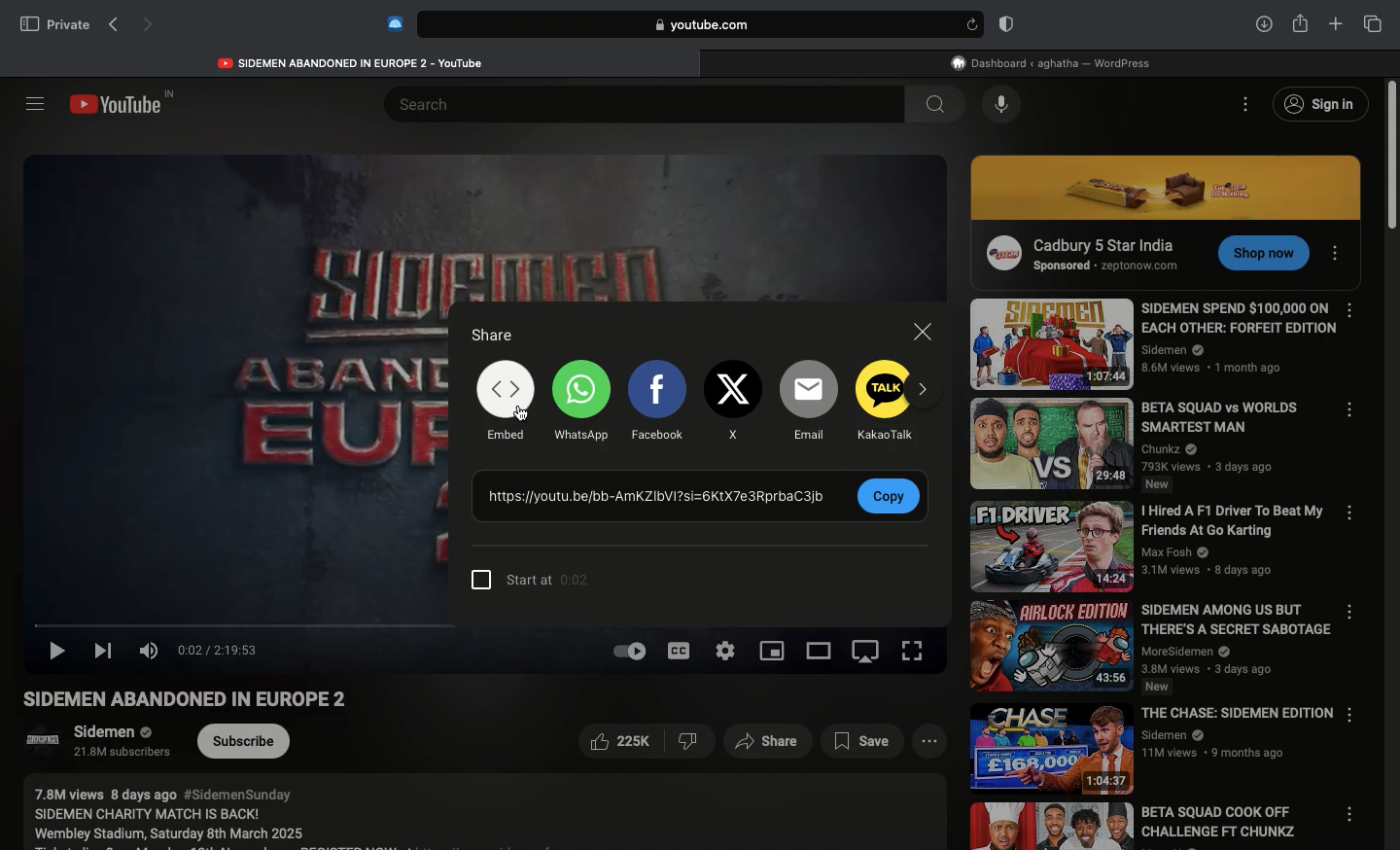 This screenshot has width=1400, height=850. Describe the element at coordinates (150, 26) in the screenshot. I see `Next page` at that location.